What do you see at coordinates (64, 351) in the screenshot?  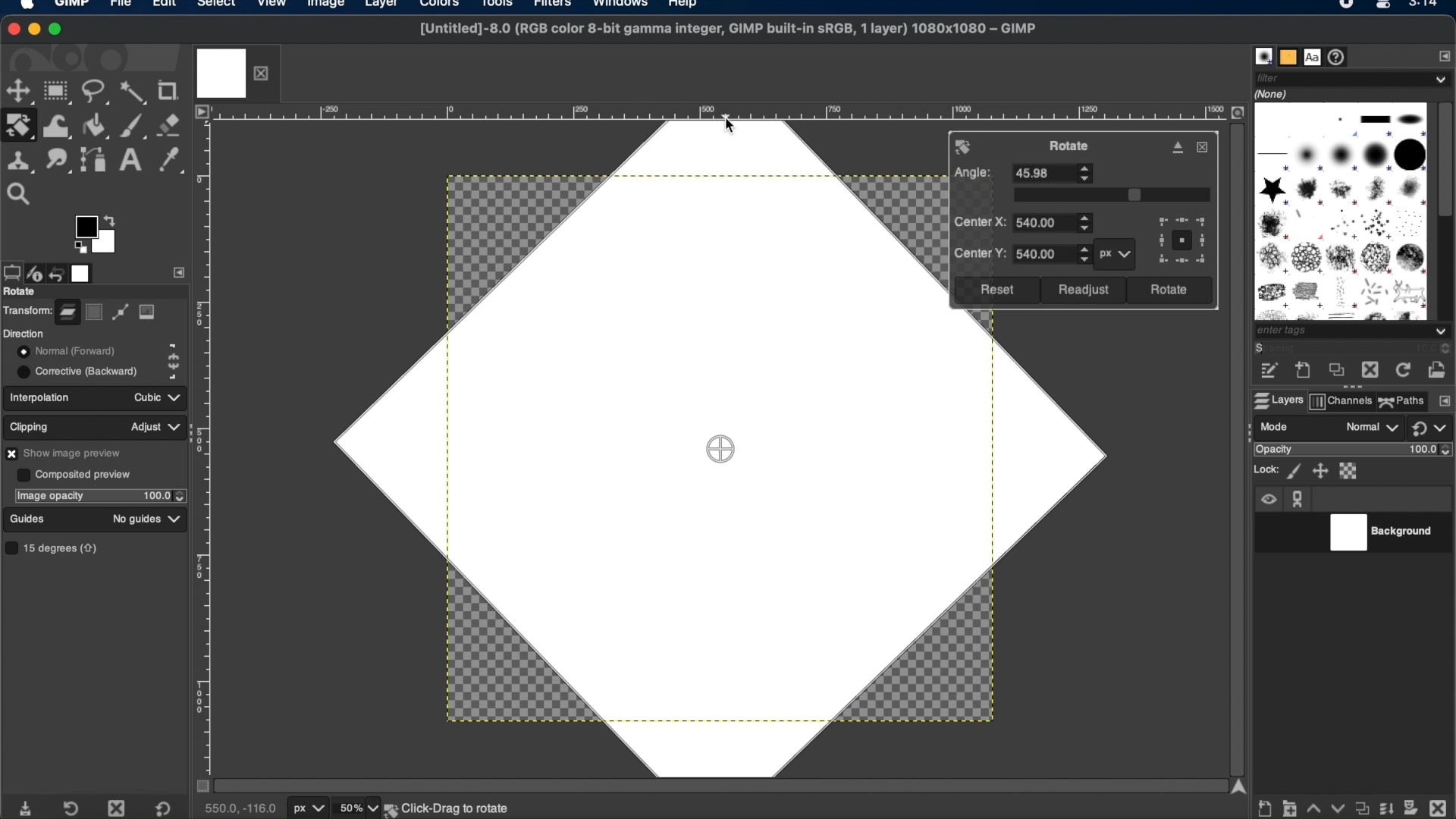 I see `normal forward toggle button` at bounding box center [64, 351].